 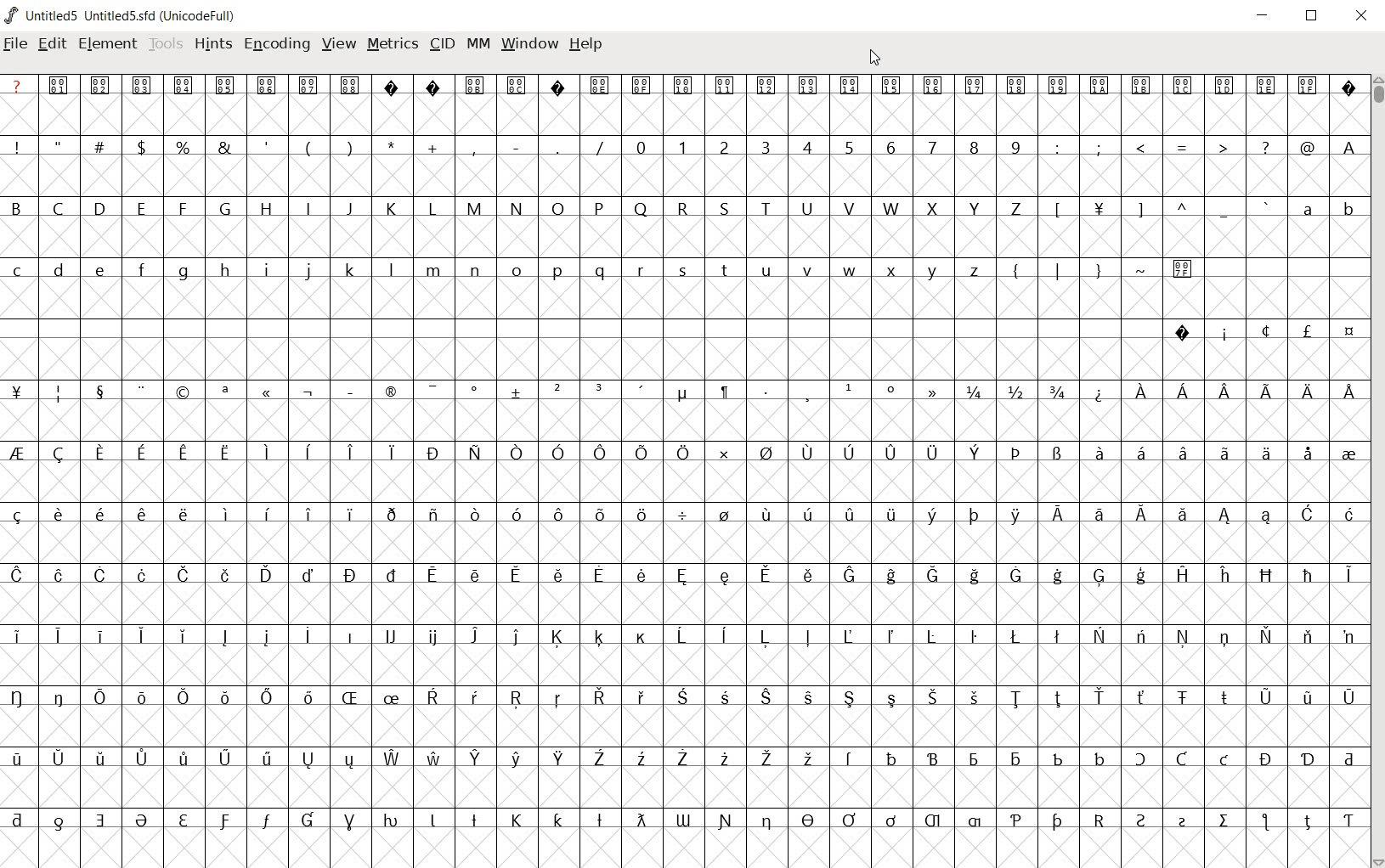 What do you see at coordinates (1058, 638) in the screenshot?
I see `Symbol` at bounding box center [1058, 638].